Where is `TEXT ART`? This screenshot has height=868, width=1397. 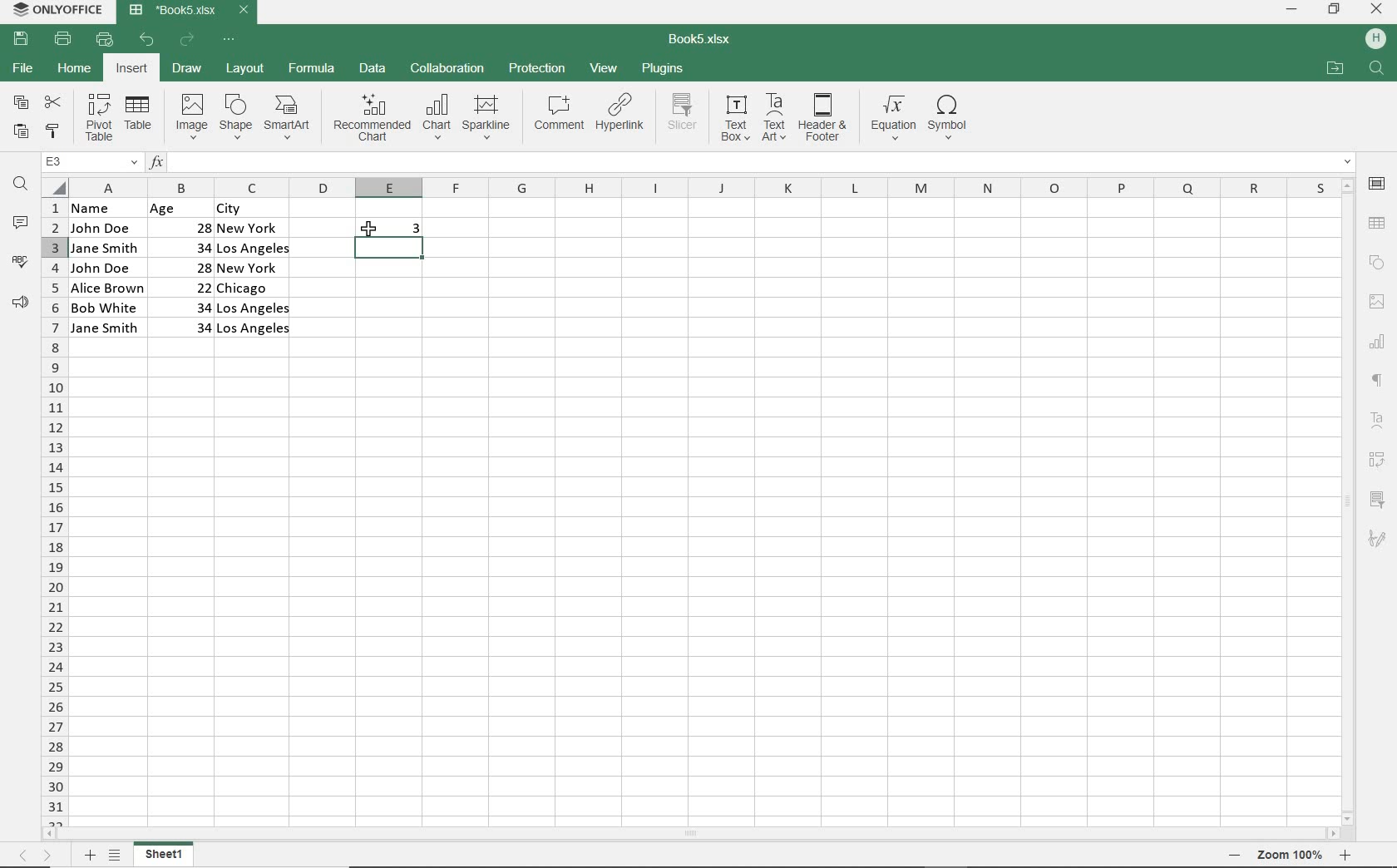
TEXT ART is located at coordinates (1379, 417).